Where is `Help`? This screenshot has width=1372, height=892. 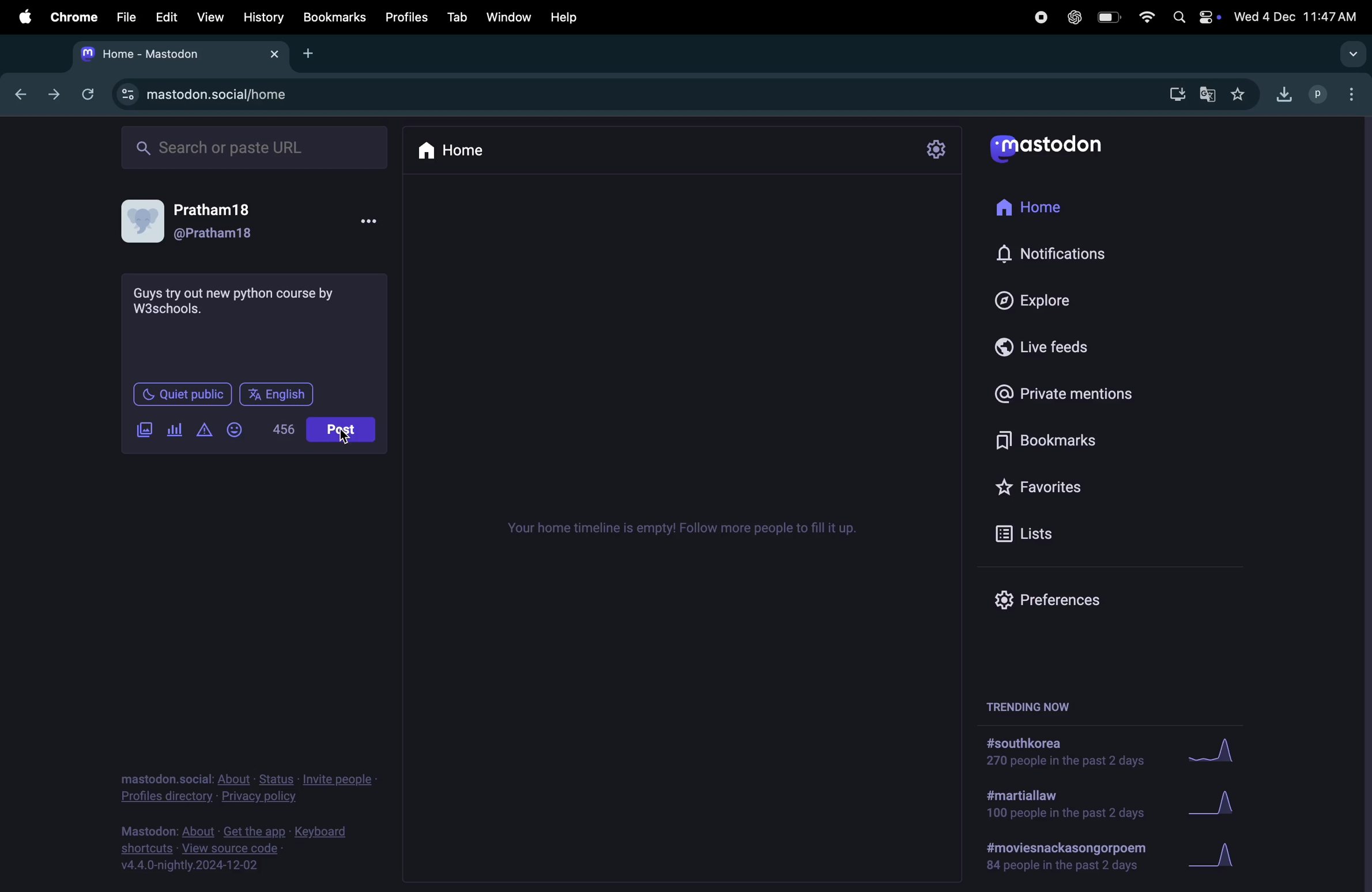
Help is located at coordinates (568, 17).